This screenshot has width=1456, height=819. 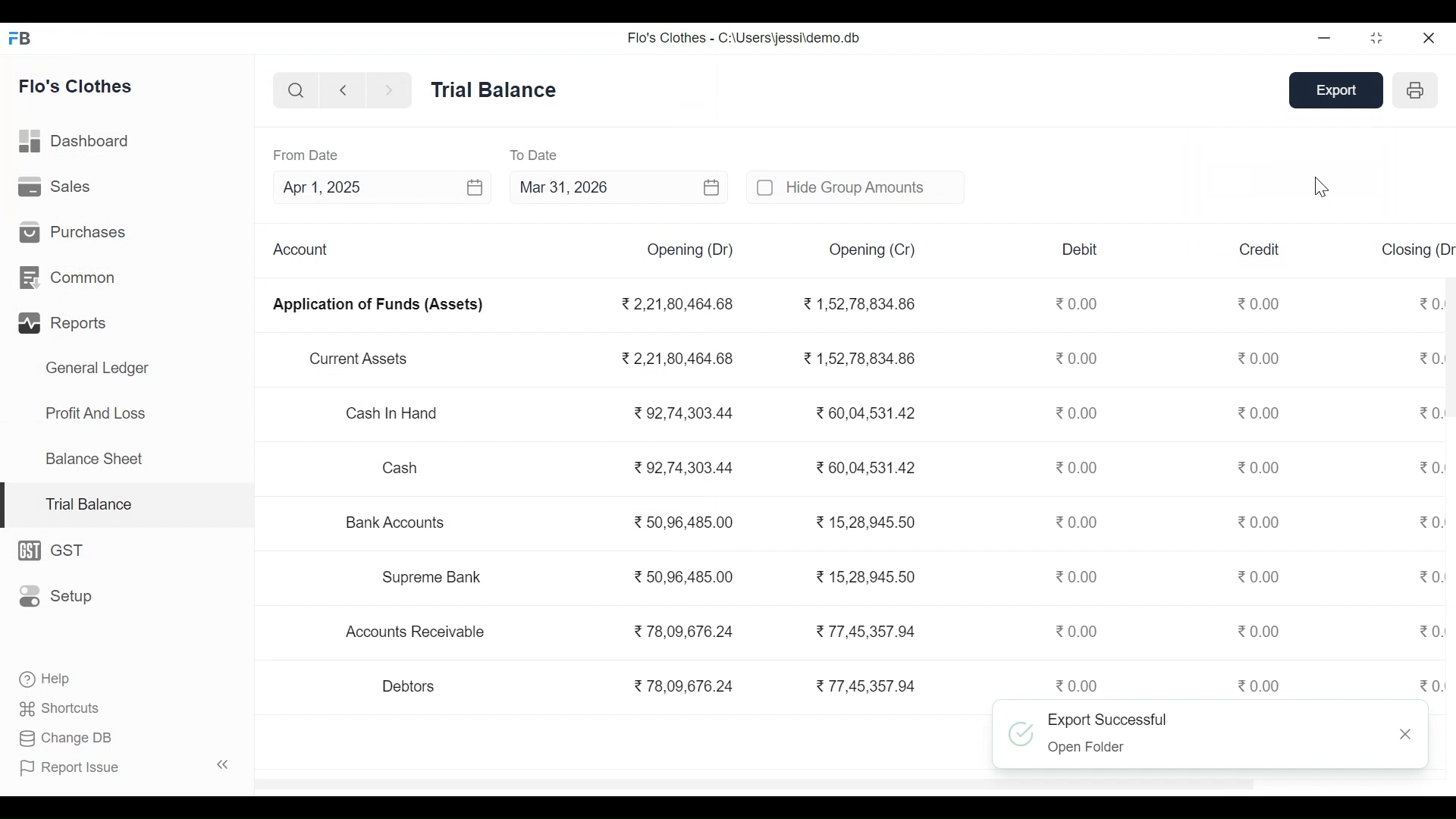 I want to click on Current Assets, so click(x=358, y=359).